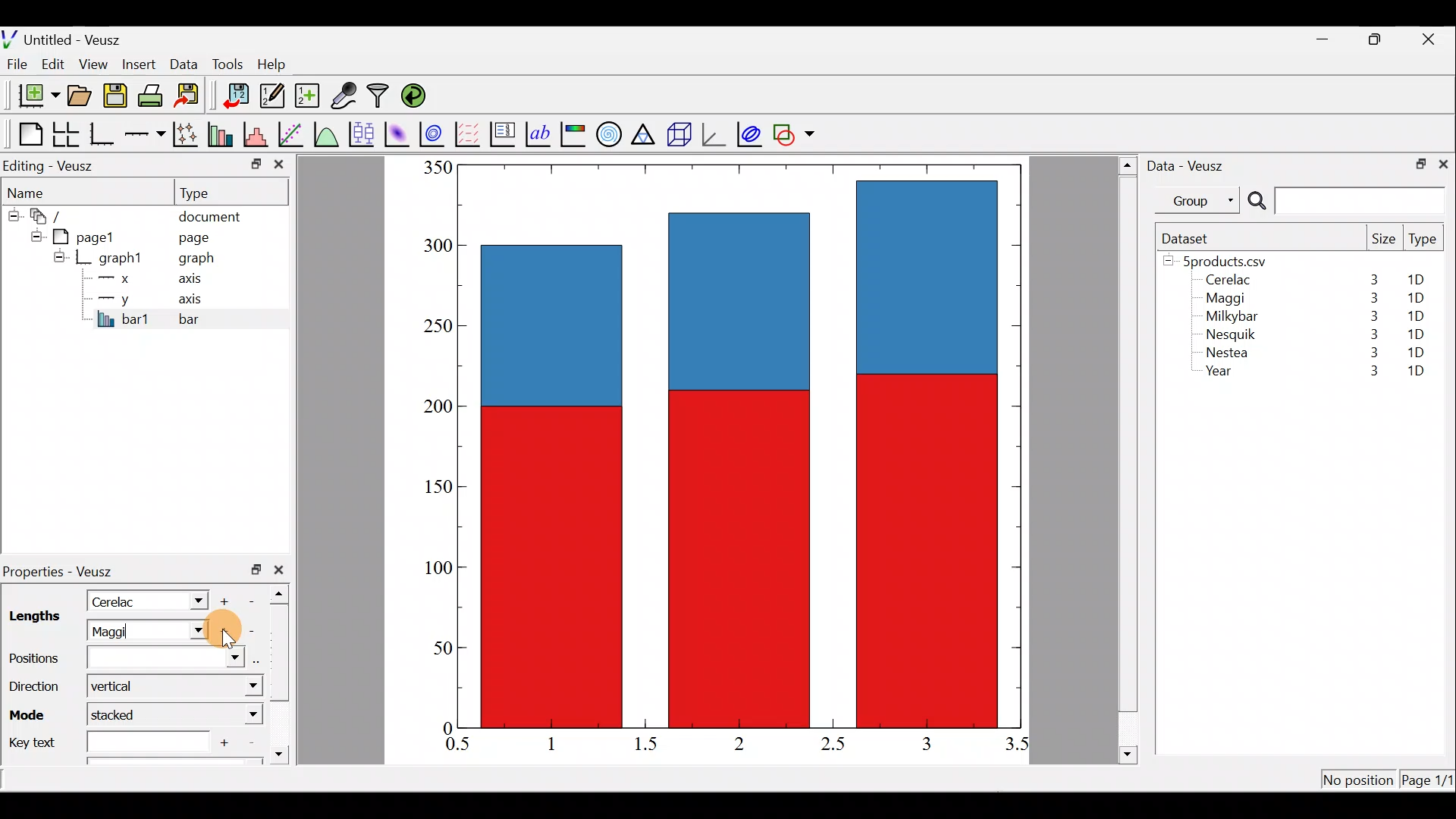 The image size is (1456, 819). What do you see at coordinates (260, 661) in the screenshot?
I see `select using dataset browser` at bounding box center [260, 661].